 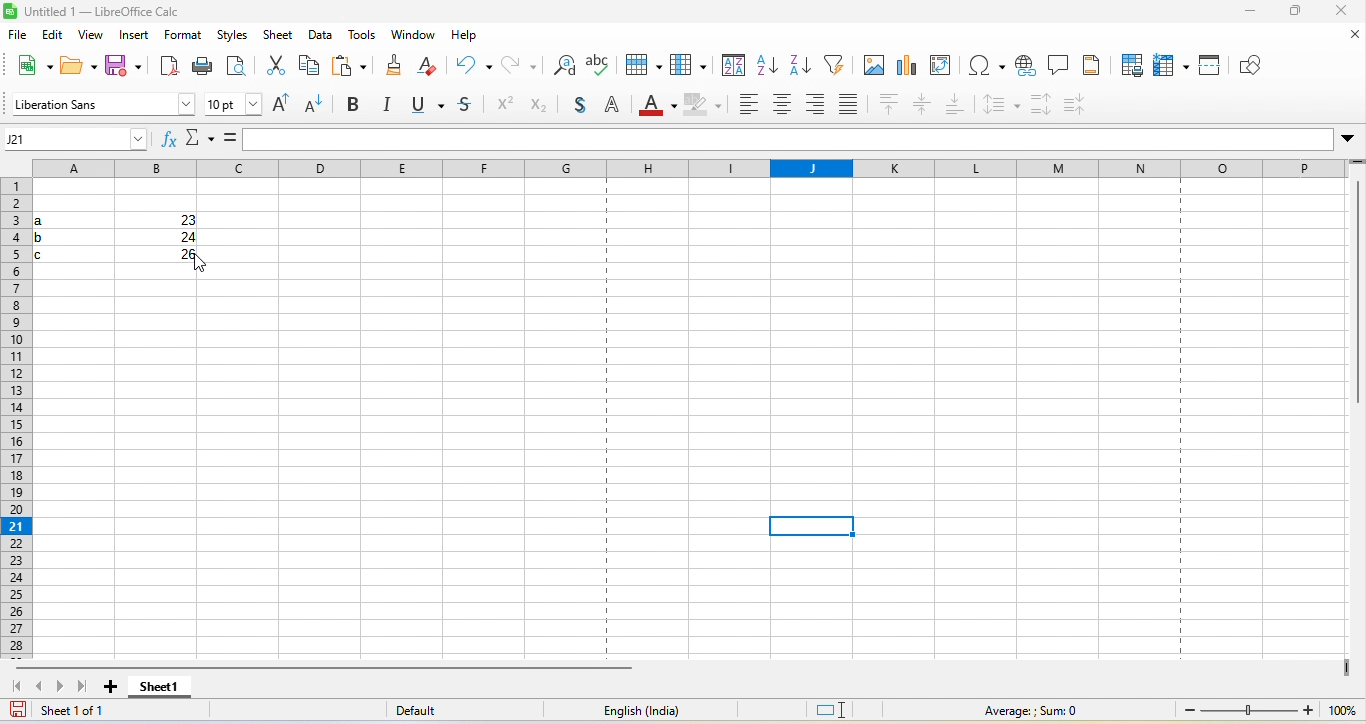 I want to click on text language, so click(x=634, y=713).